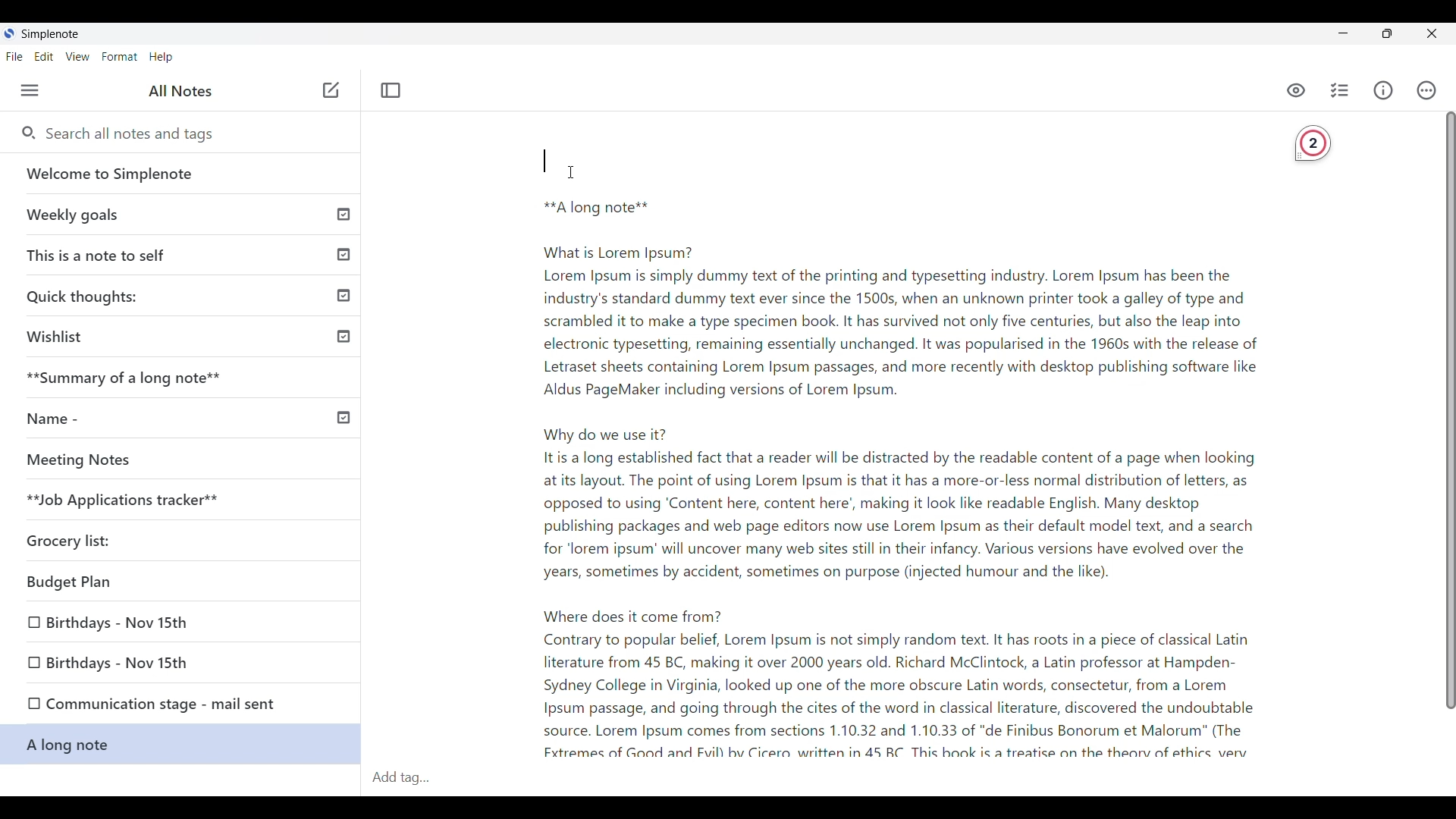 The height and width of the screenshot is (819, 1456). What do you see at coordinates (78, 57) in the screenshot?
I see `View` at bounding box center [78, 57].